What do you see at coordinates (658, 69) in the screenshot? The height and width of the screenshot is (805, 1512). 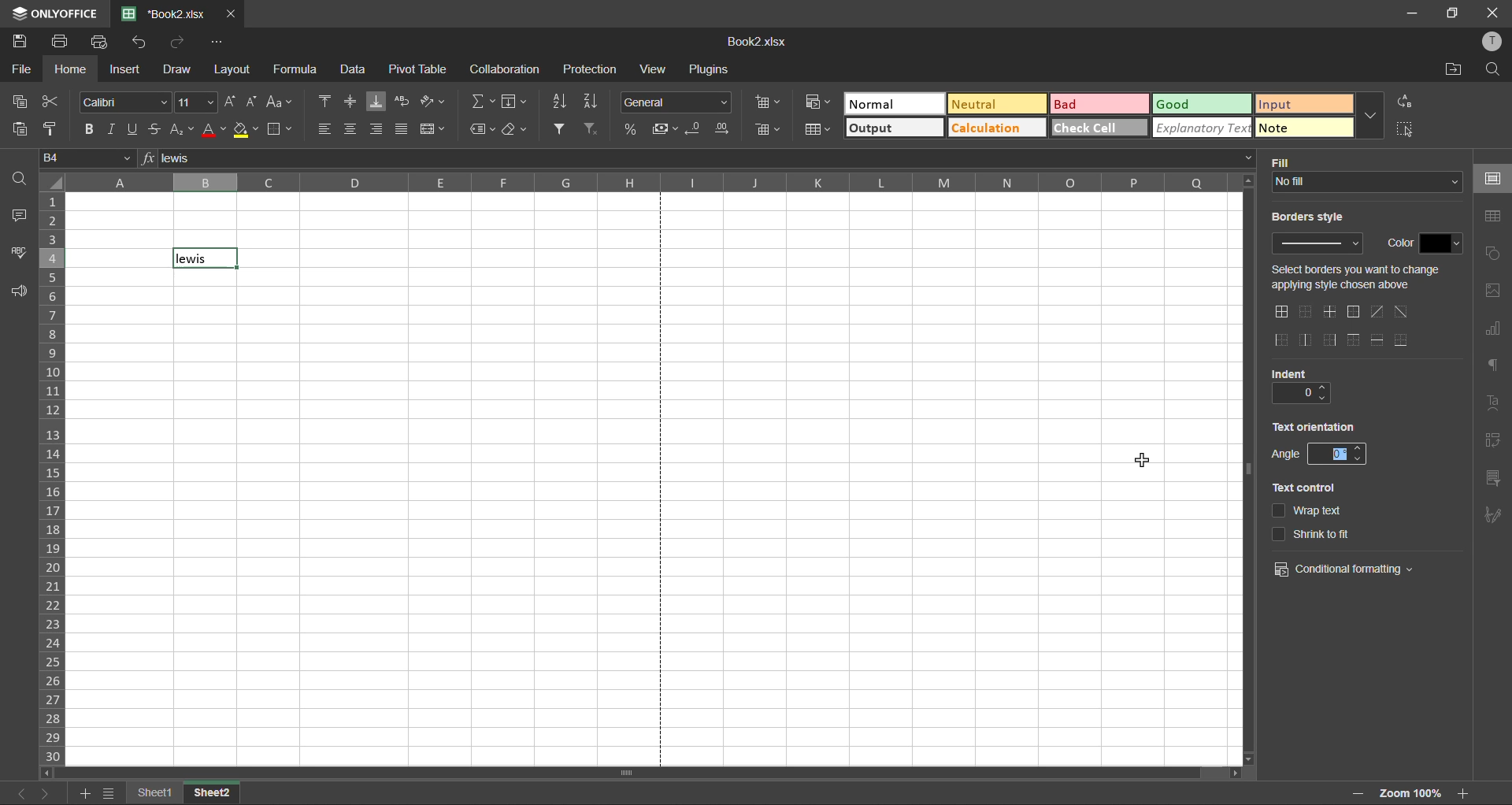 I see `view` at bounding box center [658, 69].